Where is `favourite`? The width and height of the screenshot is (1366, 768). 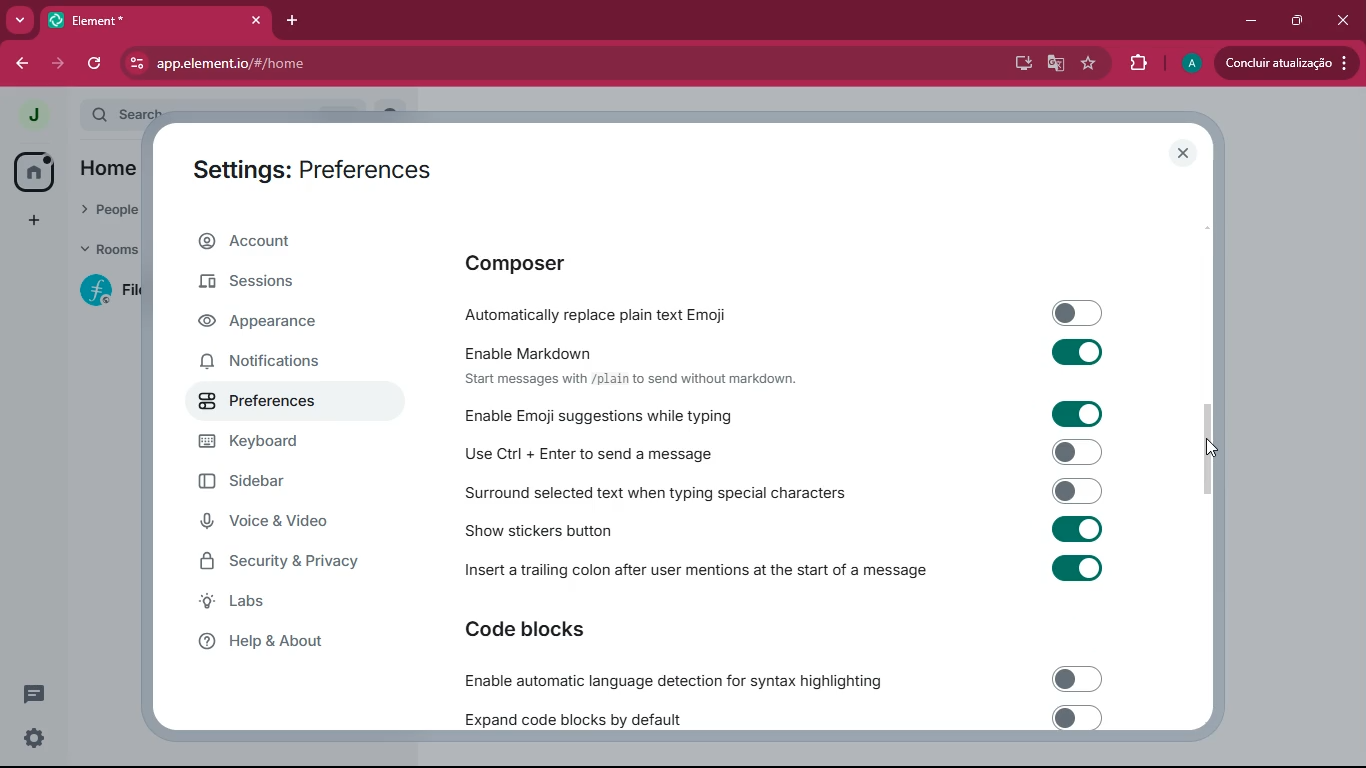 favourite is located at coordinates (1093, 66).